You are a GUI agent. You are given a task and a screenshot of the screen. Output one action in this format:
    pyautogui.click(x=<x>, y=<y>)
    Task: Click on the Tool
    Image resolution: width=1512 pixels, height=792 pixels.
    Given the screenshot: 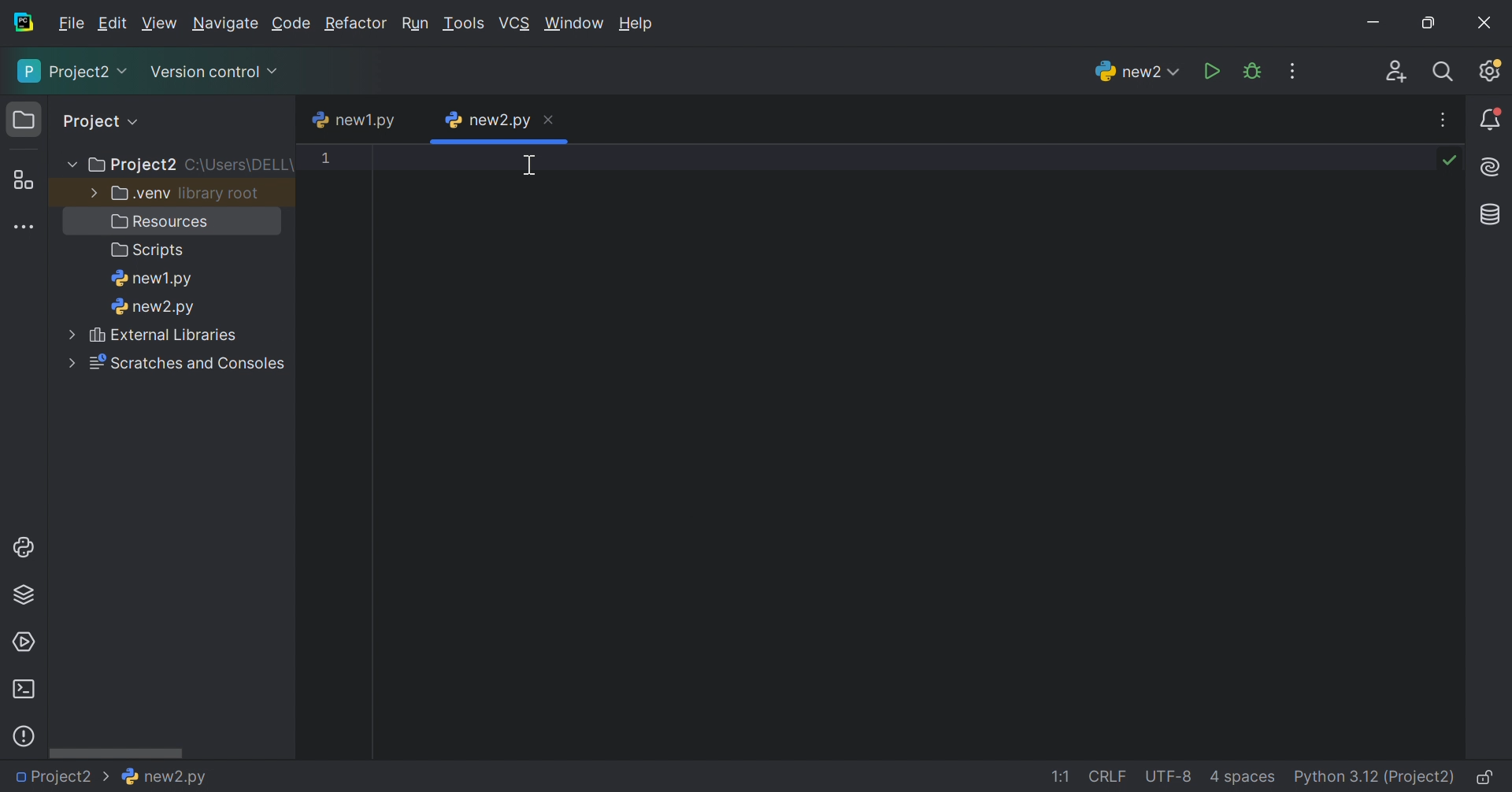 What is the action you would take?
    pyautogui.click(x=464, y=25)
    